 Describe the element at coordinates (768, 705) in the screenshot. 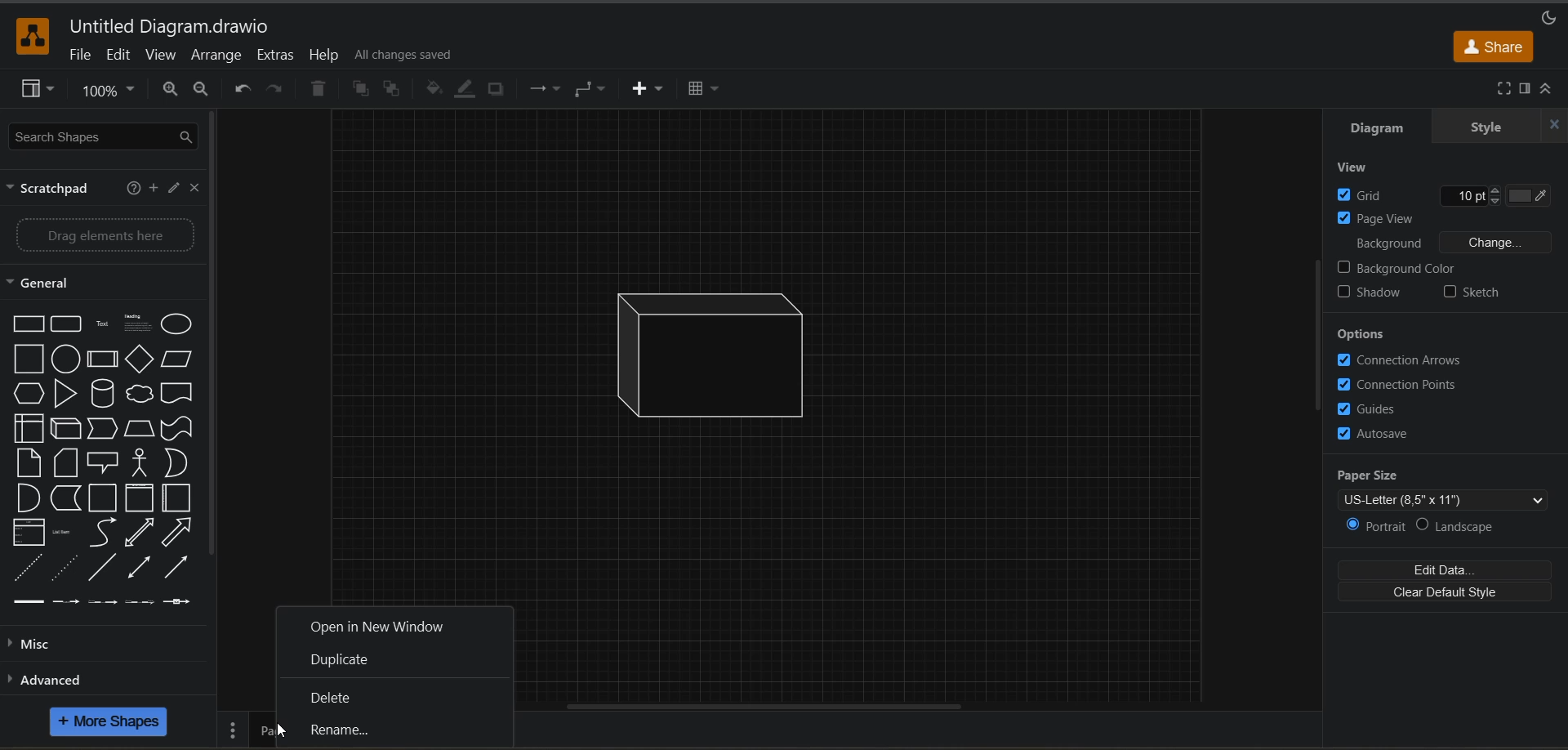

I see `horizontal scroll bar` at that location.